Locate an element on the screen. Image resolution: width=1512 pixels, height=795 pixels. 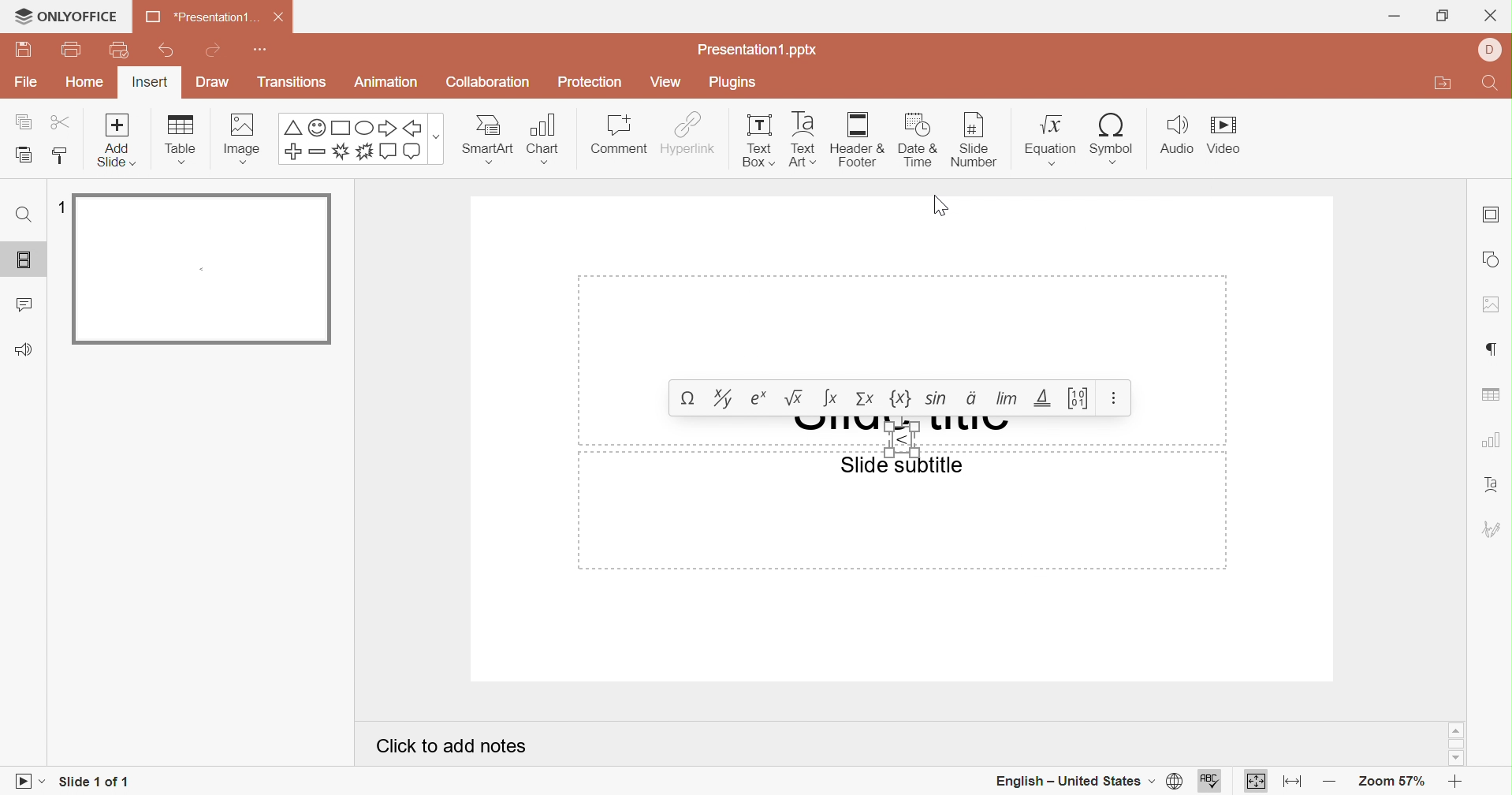
Slide 1 of 1 is located at coordinates (96, 782).